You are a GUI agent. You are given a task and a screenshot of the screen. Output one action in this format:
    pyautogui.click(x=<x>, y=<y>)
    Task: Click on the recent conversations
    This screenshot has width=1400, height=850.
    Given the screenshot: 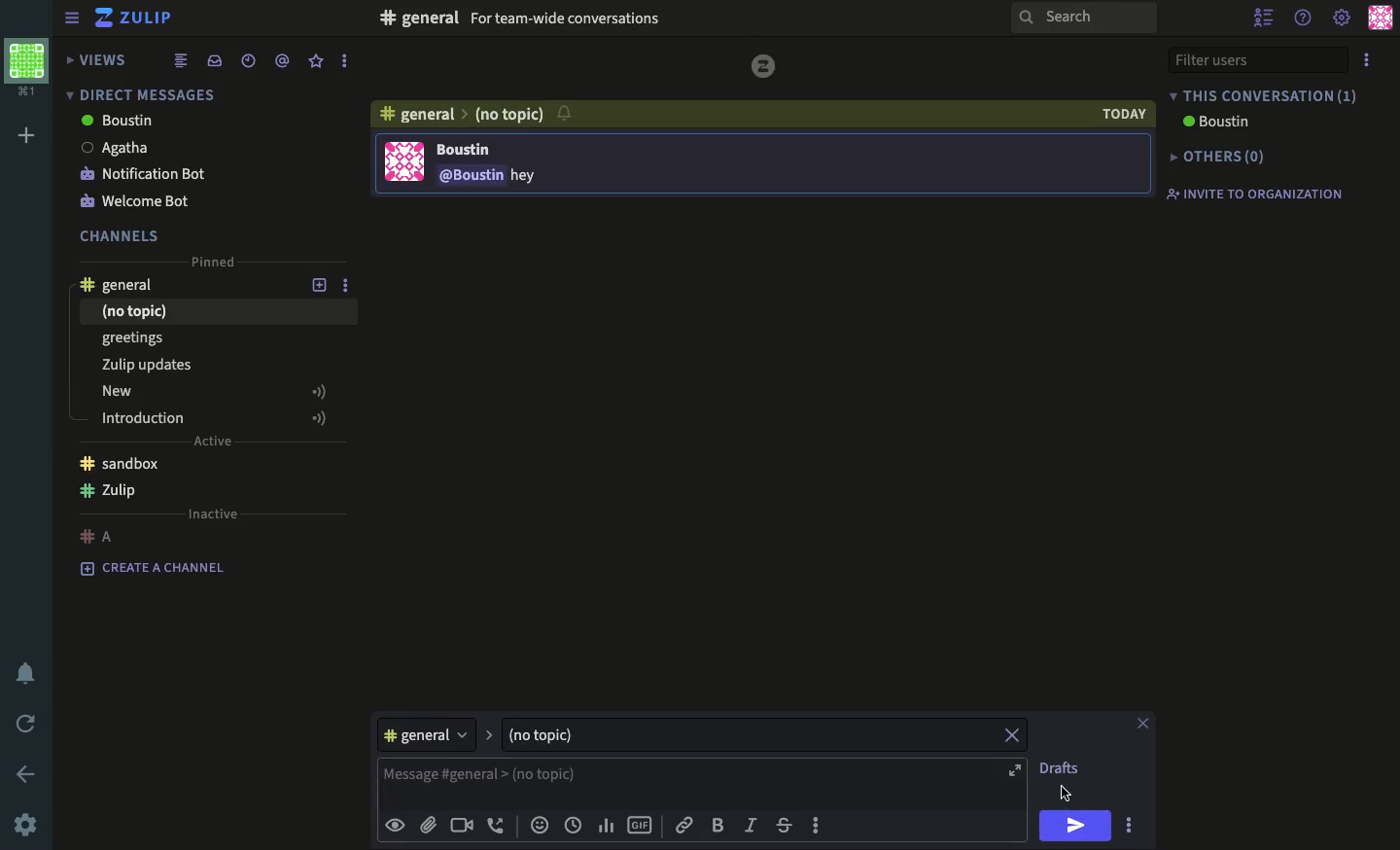 What is the action you would take?
    pyautogui.click(x=249, y=61)
    